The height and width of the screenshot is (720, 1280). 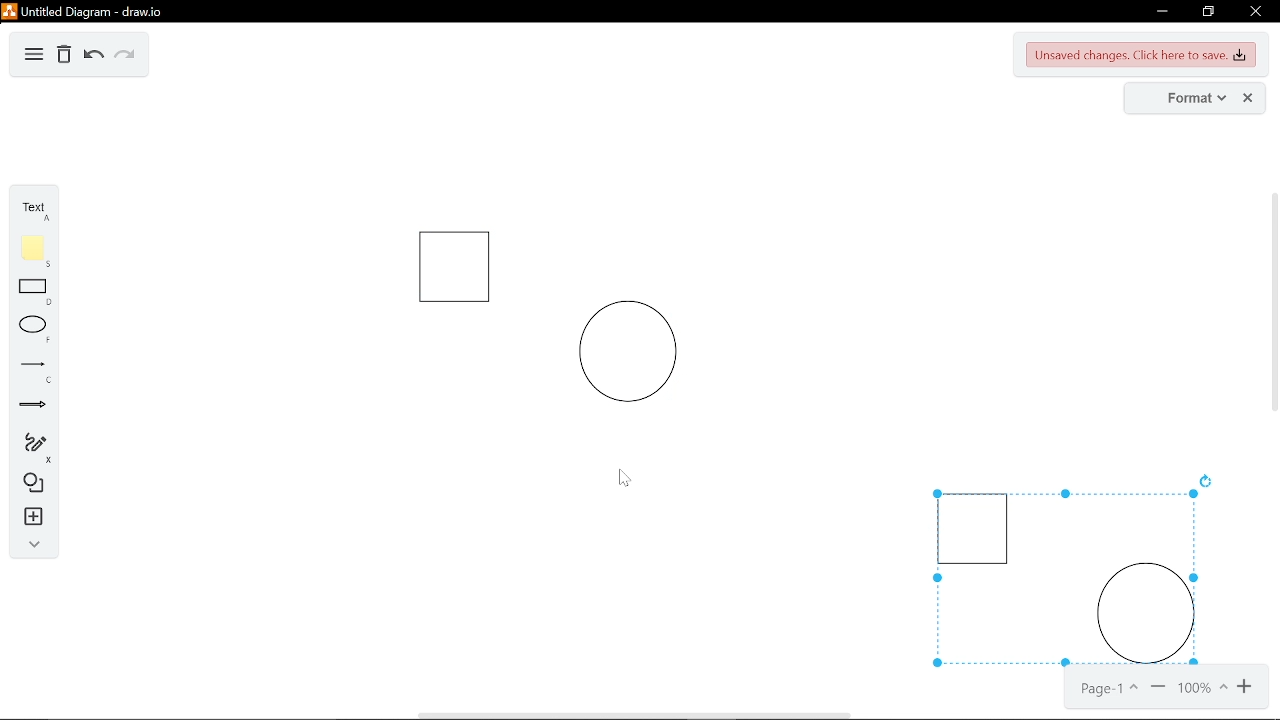 I want to click on undo, so click(x=91, y=56).